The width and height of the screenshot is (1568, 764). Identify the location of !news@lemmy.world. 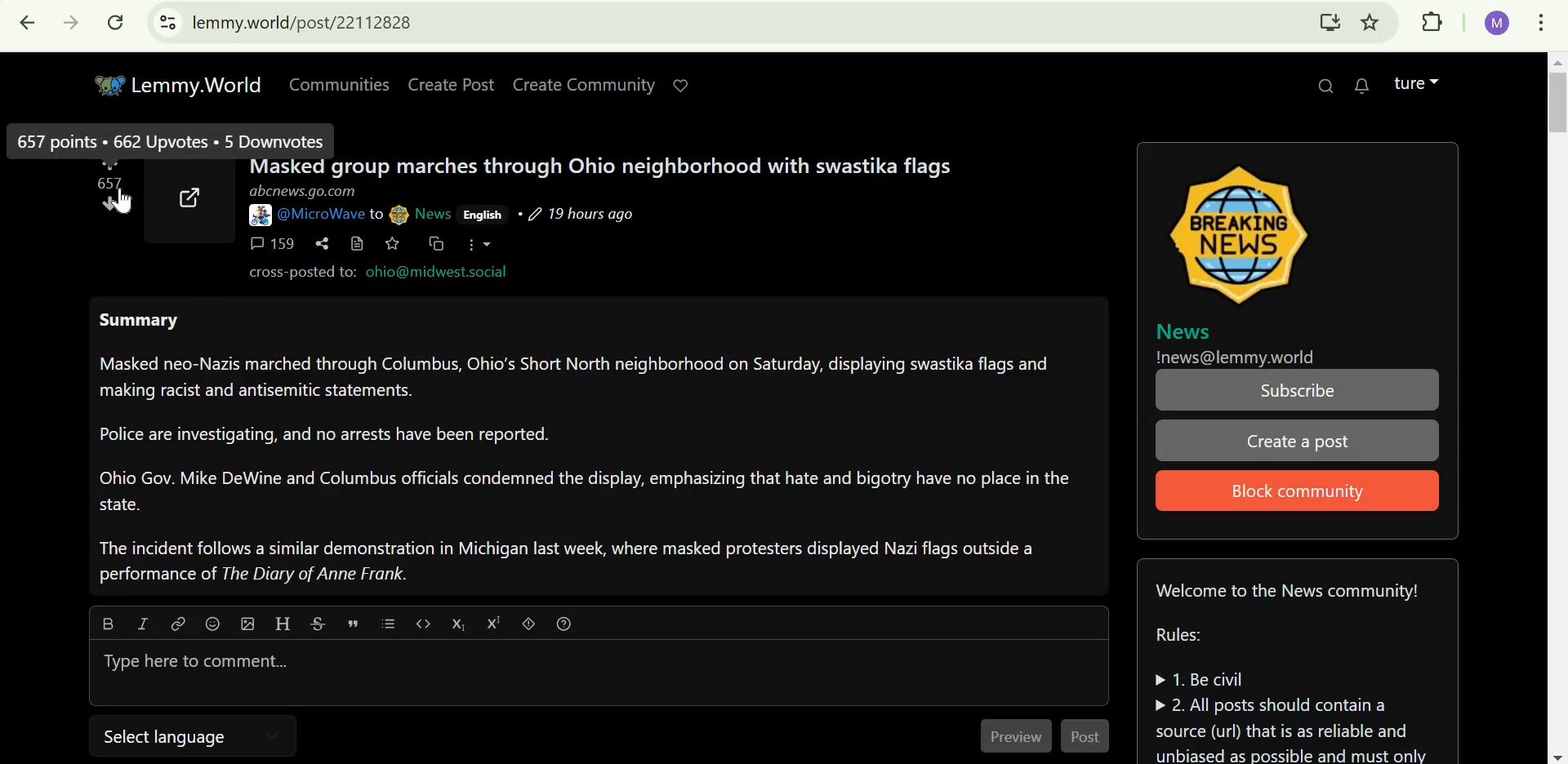
(1238, 358).